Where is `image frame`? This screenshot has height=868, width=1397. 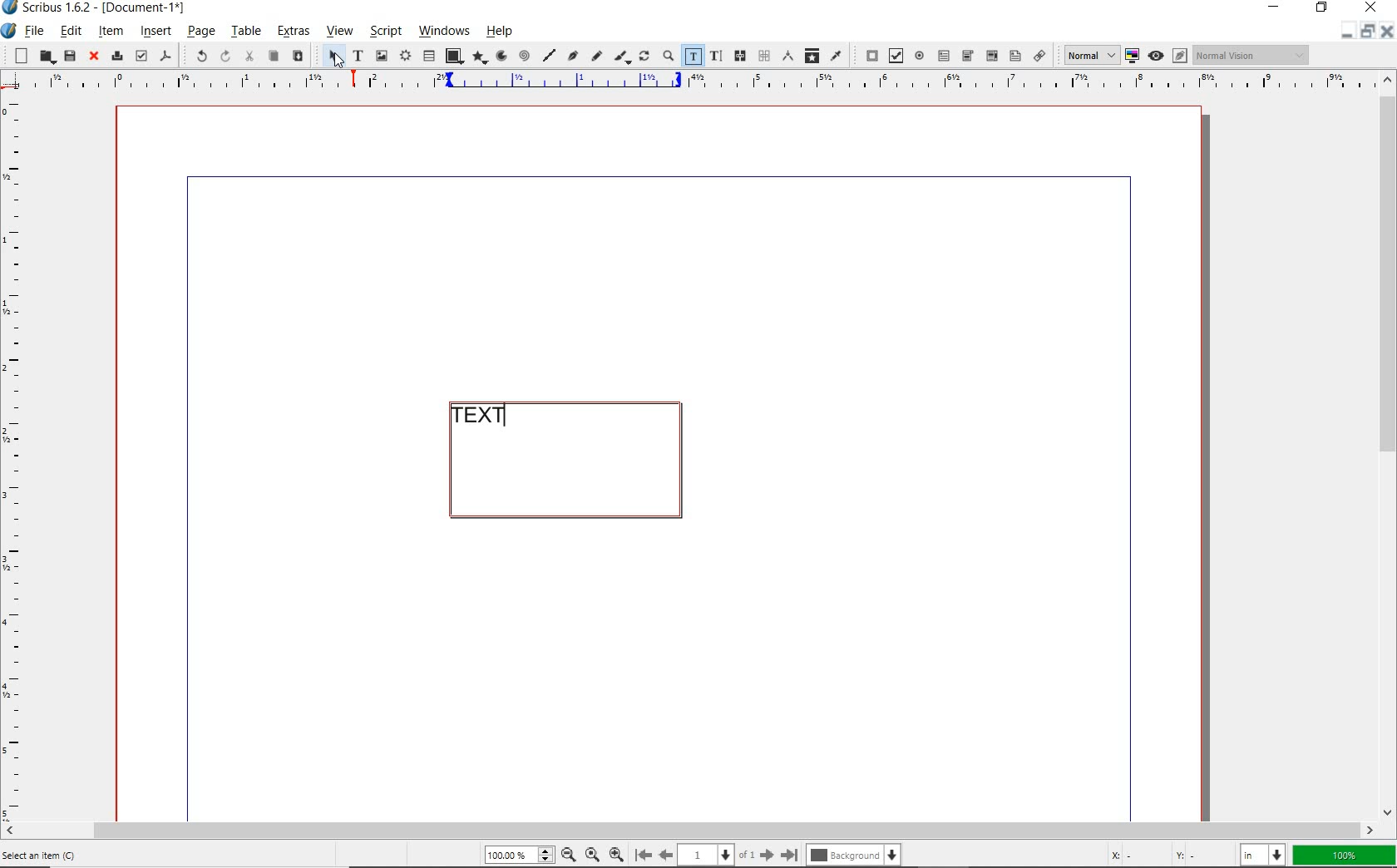
image frame is located at coordinates (381, 55).